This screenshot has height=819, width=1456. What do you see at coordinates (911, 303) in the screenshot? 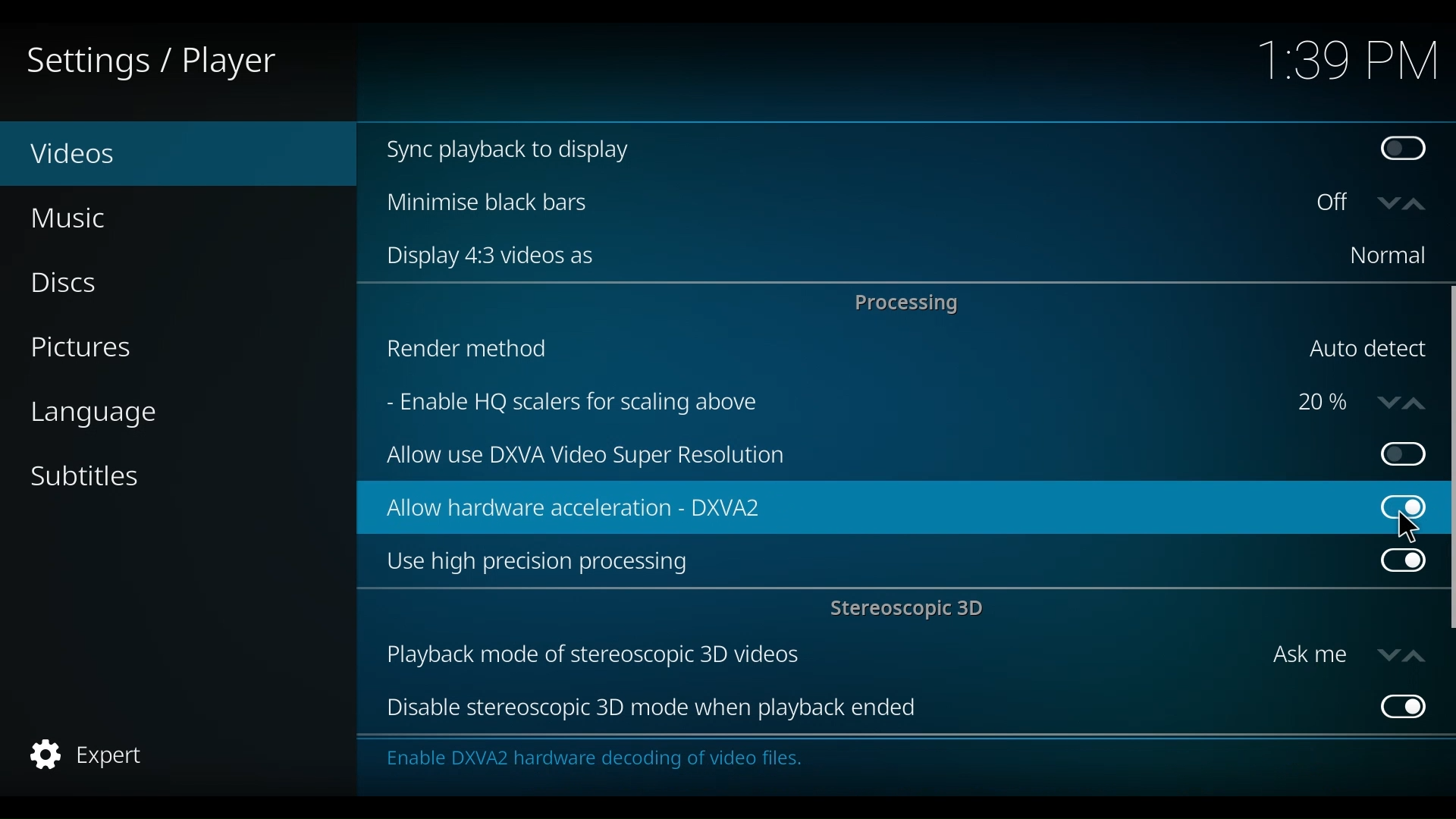
I see `Processing` at bounding box center [911, 303].